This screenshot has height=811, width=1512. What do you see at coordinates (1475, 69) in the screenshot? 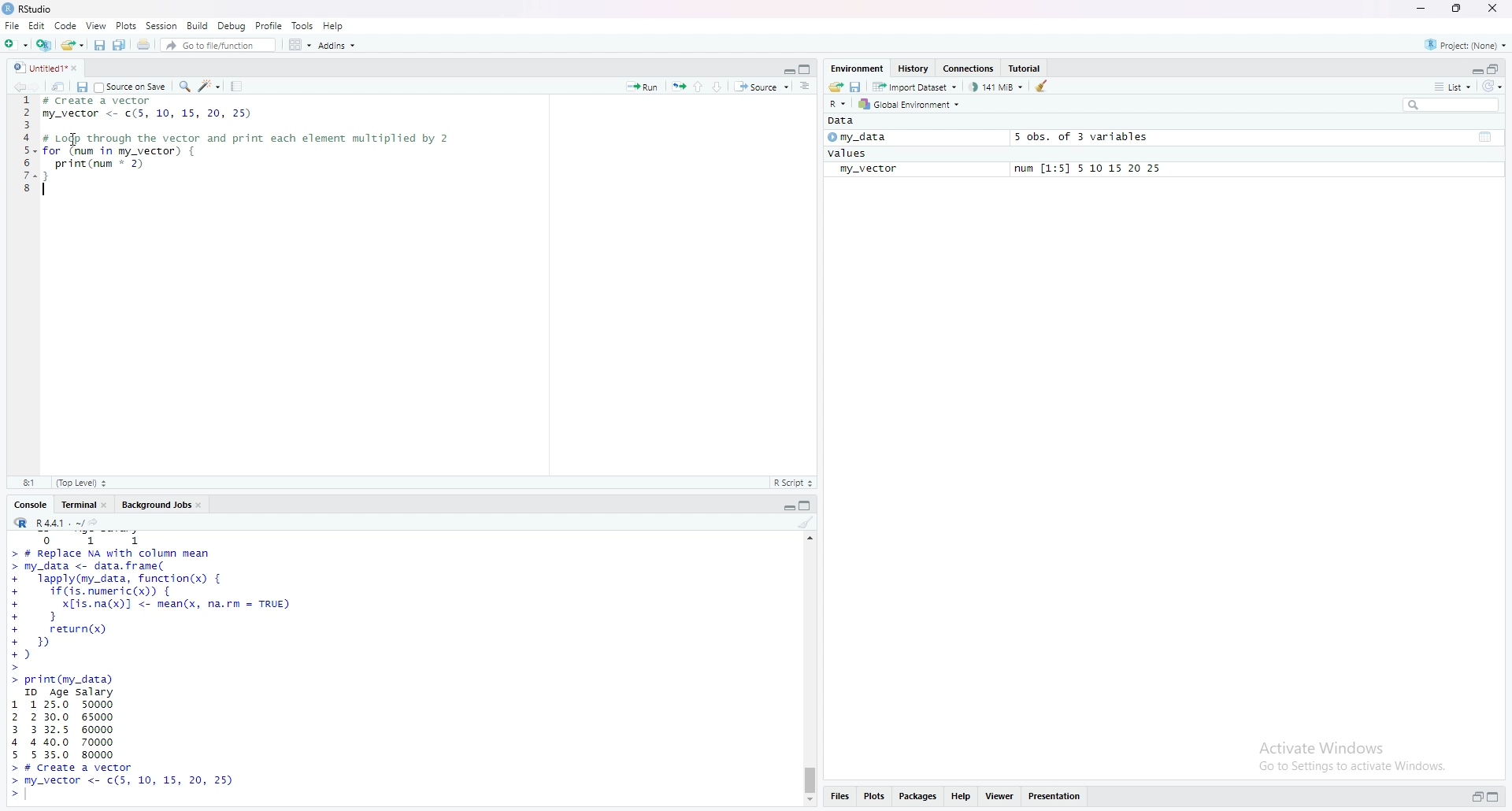
I see `expand` at bounding box center [1475, 69].